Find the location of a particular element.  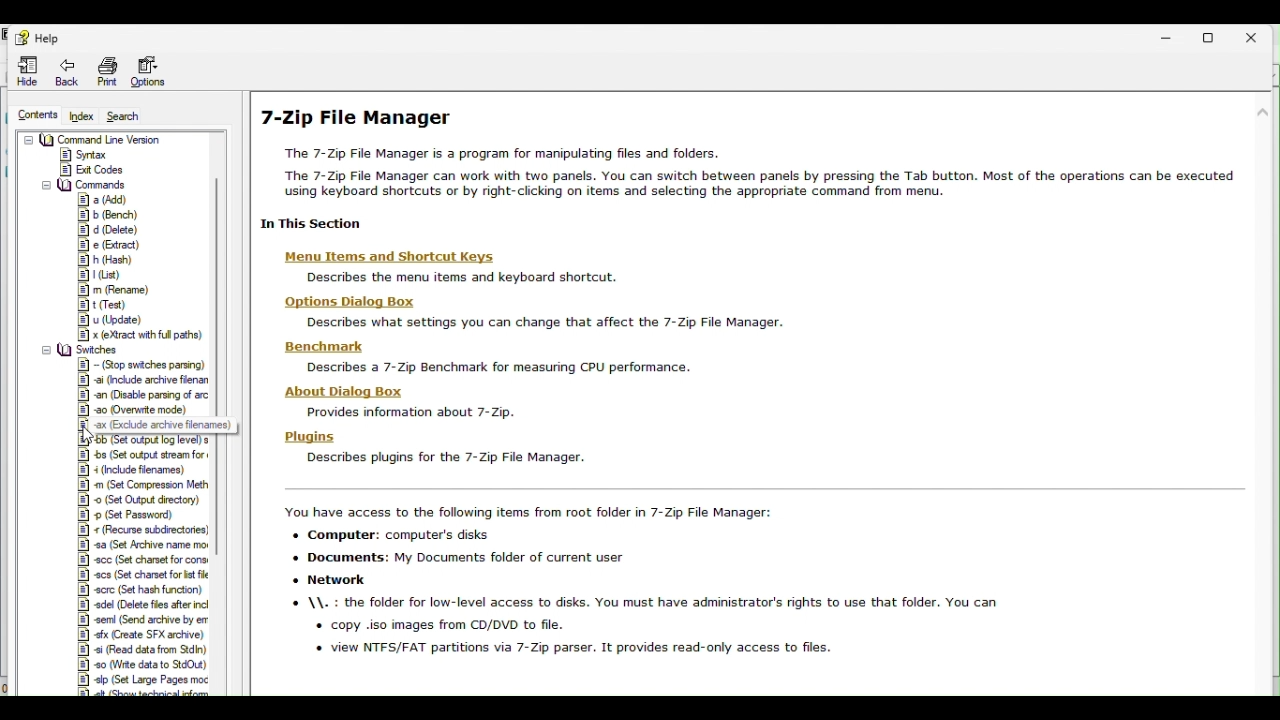

Option is located at coordinates (153, 72).